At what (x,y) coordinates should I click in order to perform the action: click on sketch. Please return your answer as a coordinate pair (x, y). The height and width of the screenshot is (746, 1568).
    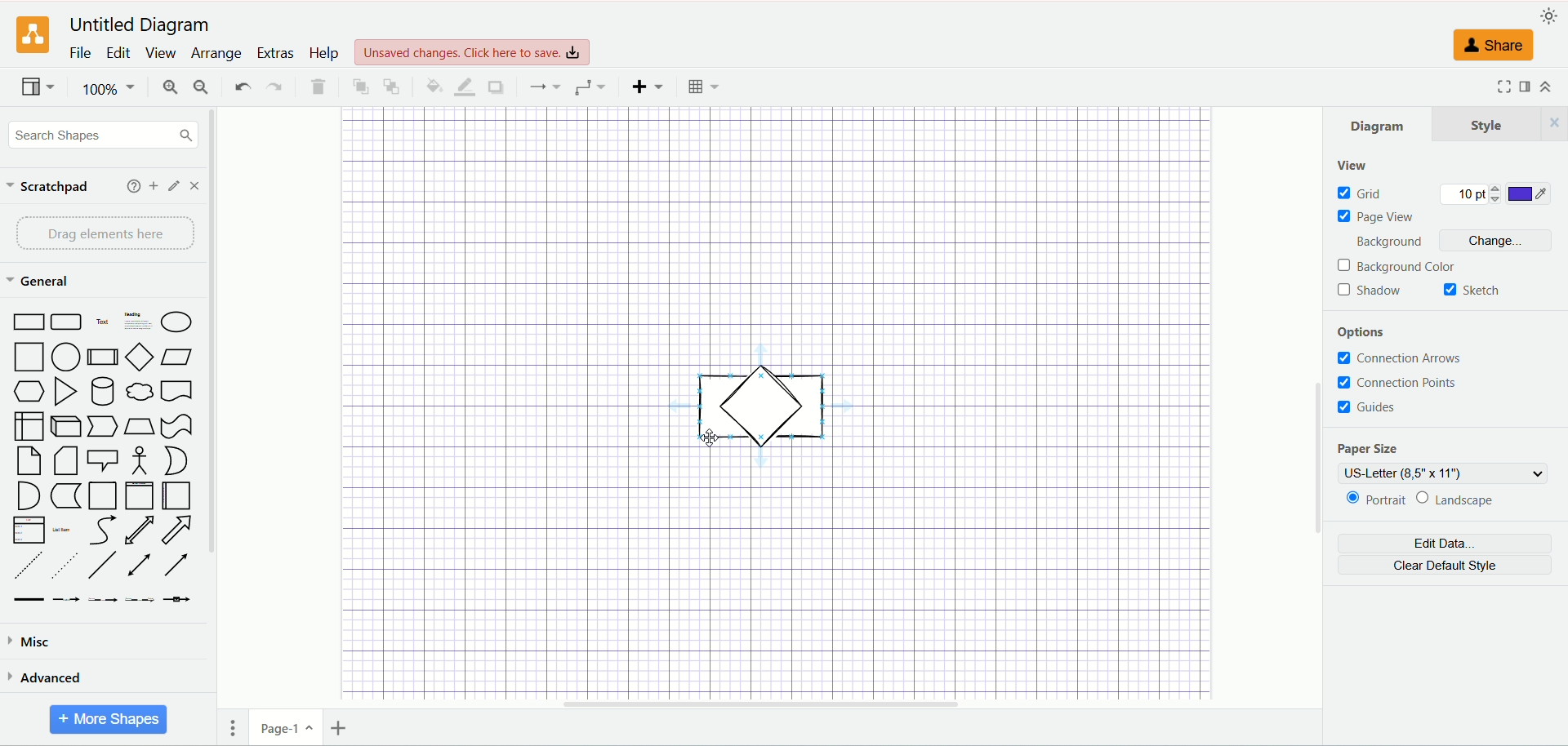
    Looking at the image, I should click on (1474, 290).